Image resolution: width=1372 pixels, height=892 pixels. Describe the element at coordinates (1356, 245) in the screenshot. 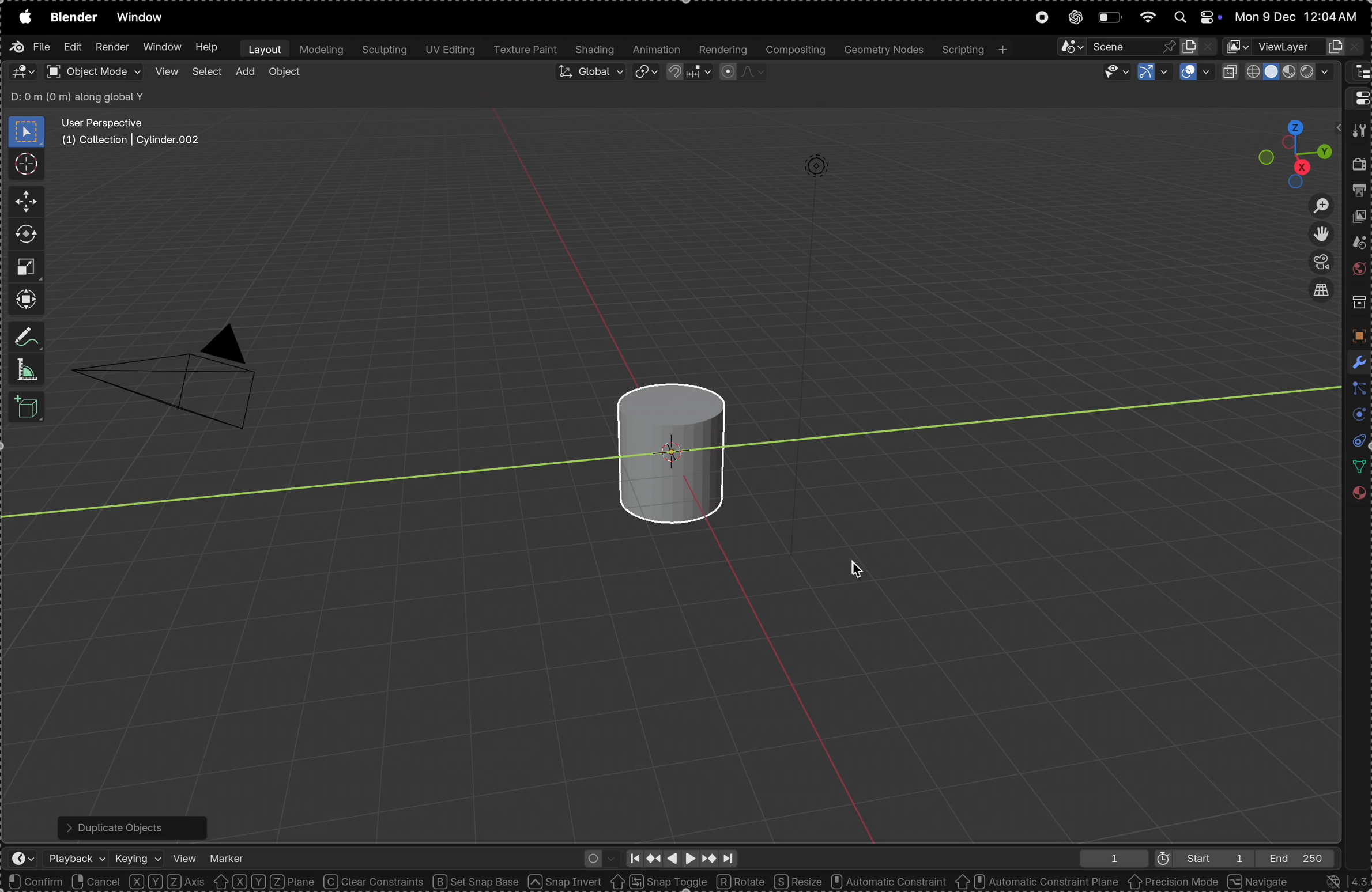

I see `scene` at that location.